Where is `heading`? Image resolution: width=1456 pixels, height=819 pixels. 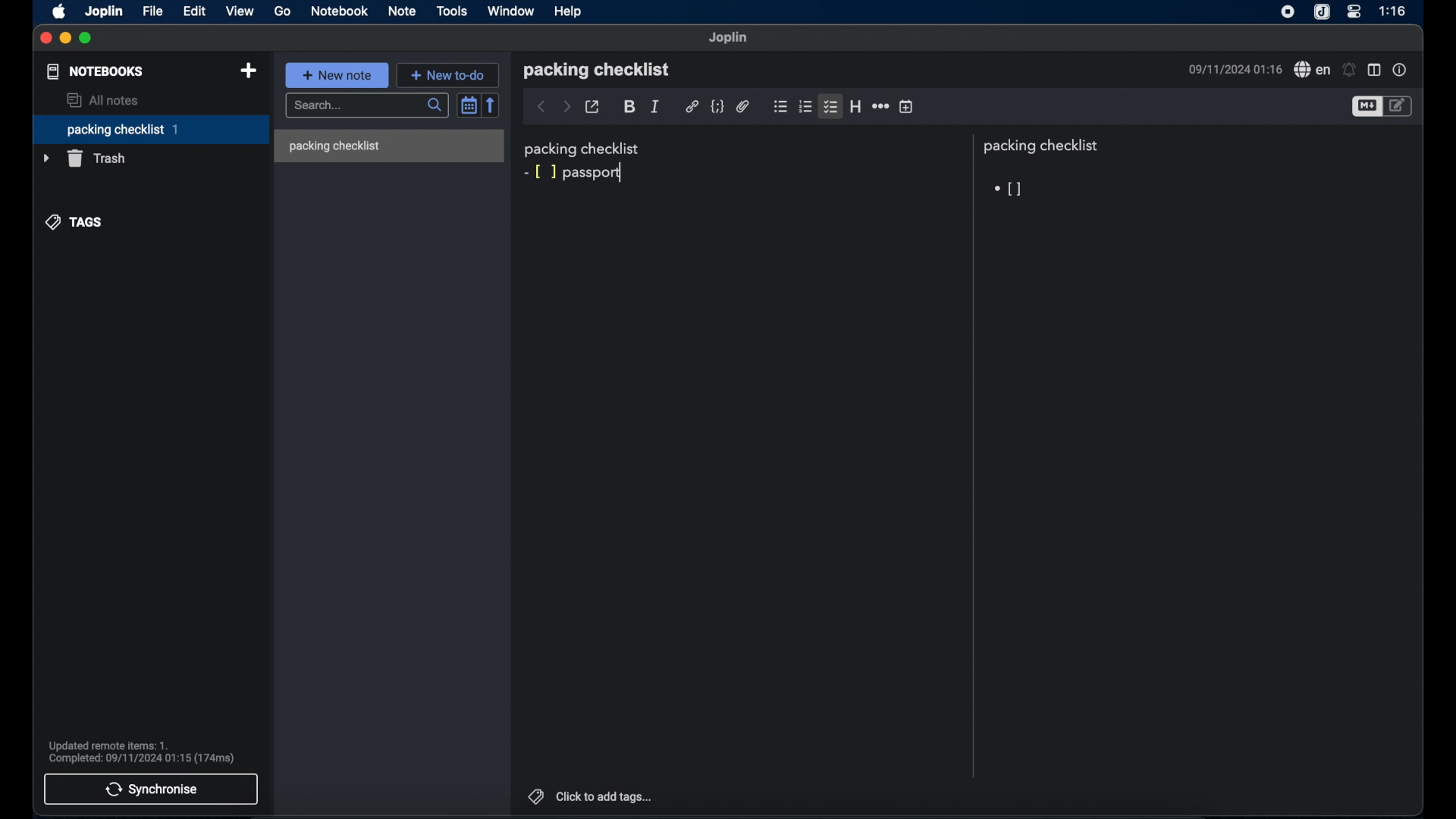 heading is located at coordinates (855, 106).